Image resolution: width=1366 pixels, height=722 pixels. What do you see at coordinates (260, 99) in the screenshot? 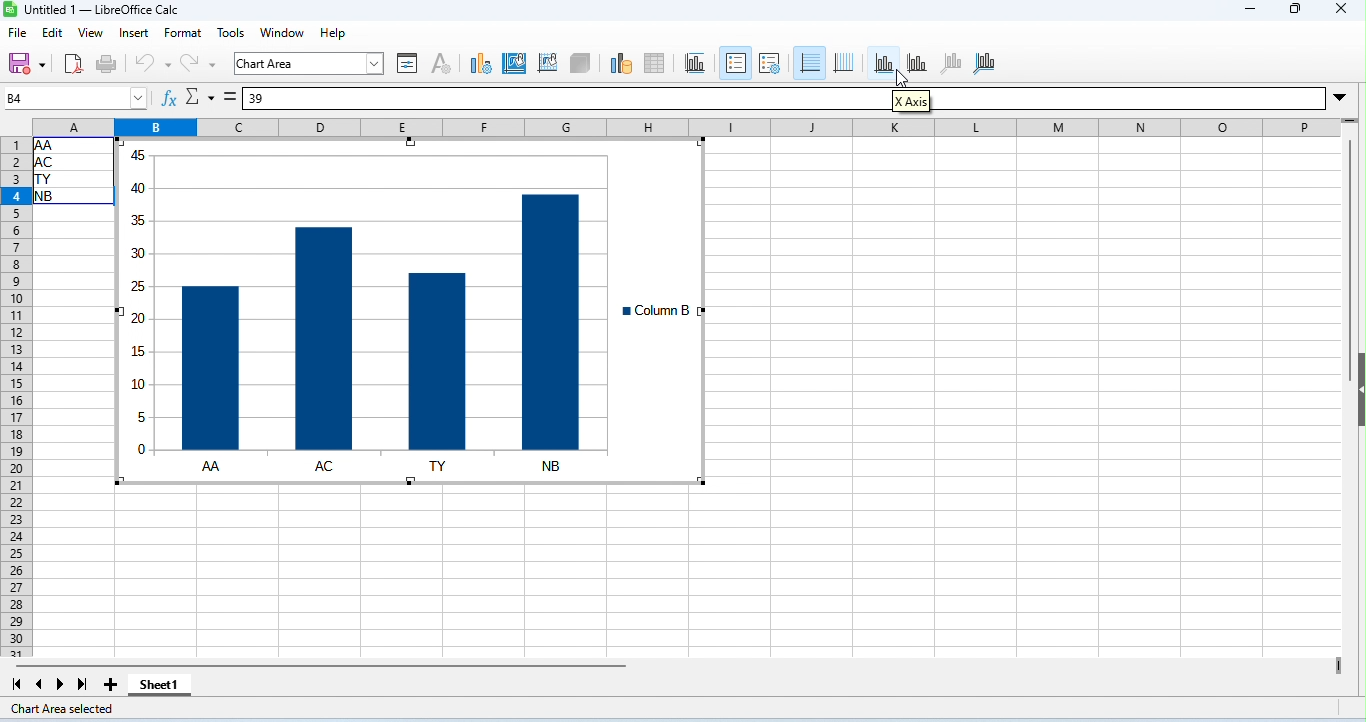
I see `39` at bounding box center [260, 99].